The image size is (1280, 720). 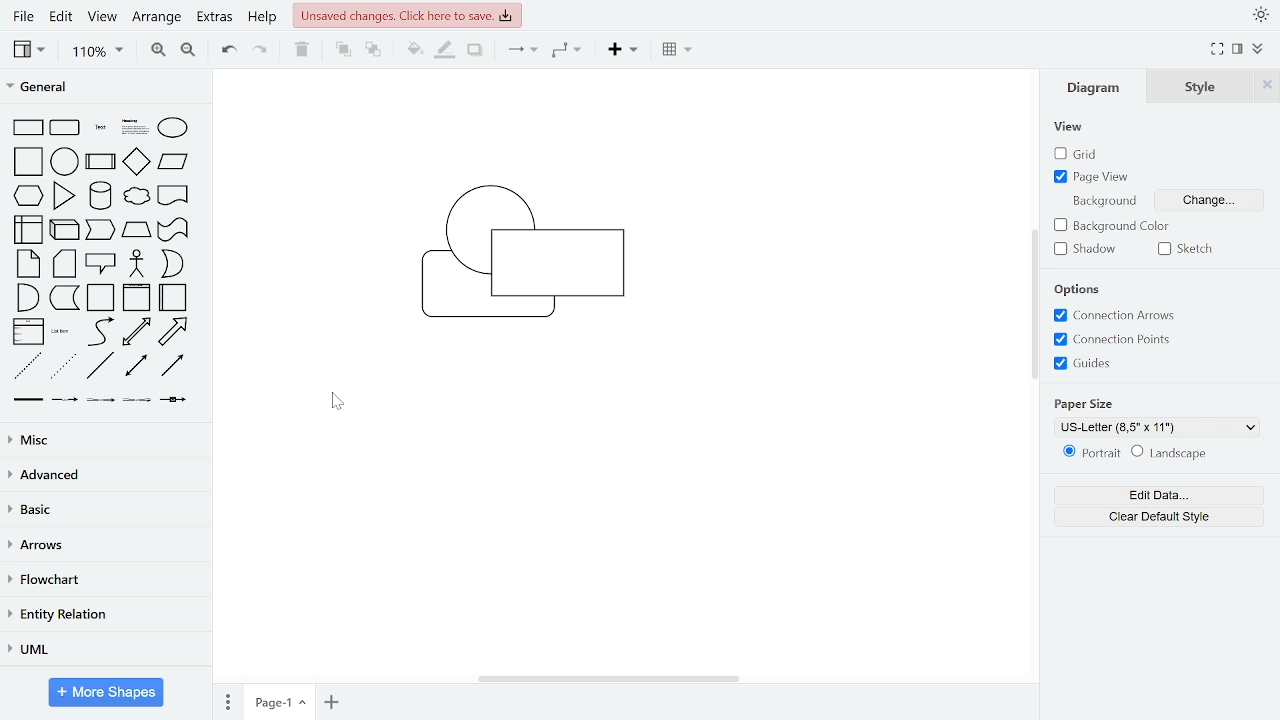 I want to click on connector, so click(x=521, y=55).